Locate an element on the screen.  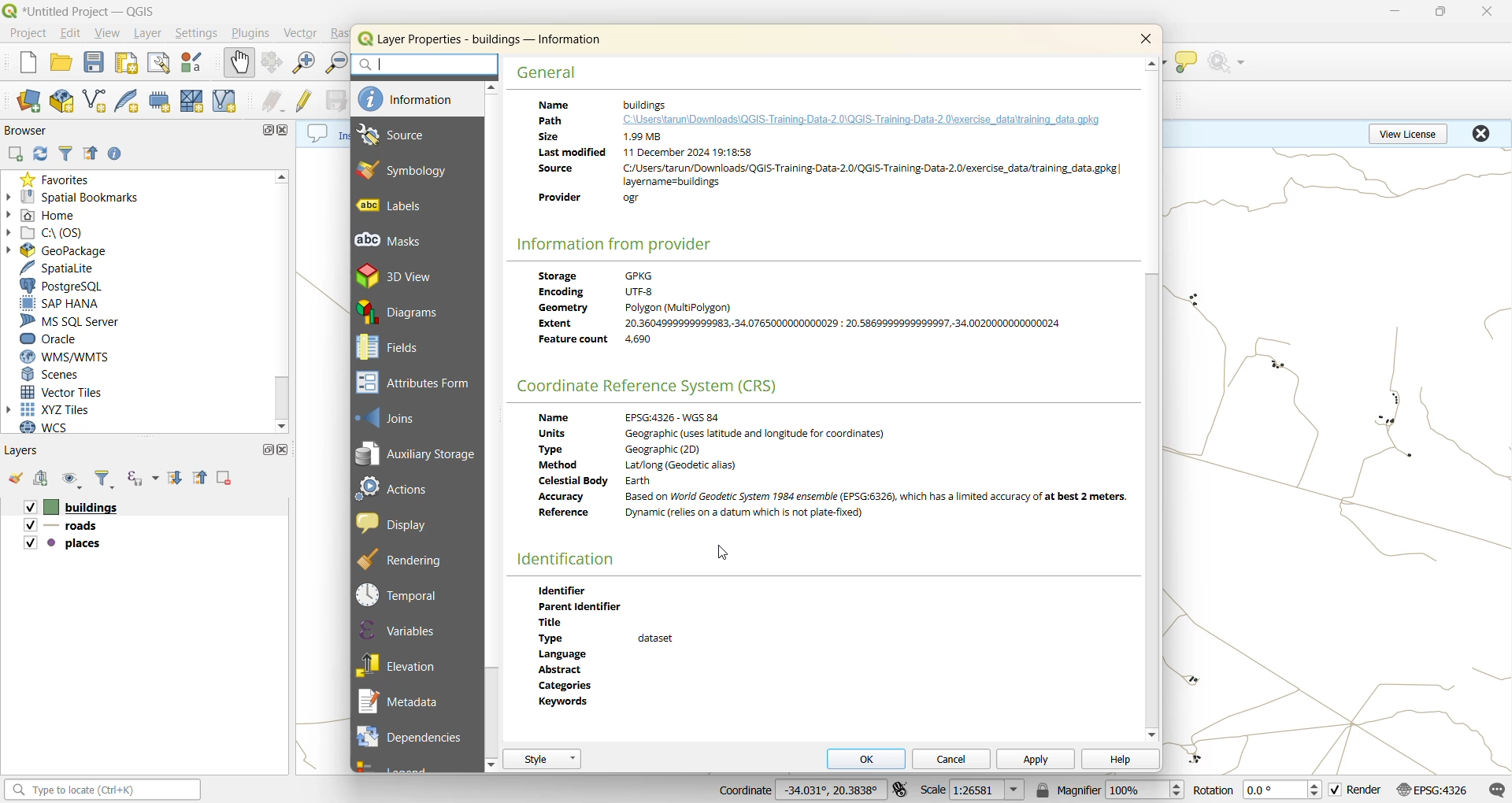
pan to selection is located at coordinates (274, 62).